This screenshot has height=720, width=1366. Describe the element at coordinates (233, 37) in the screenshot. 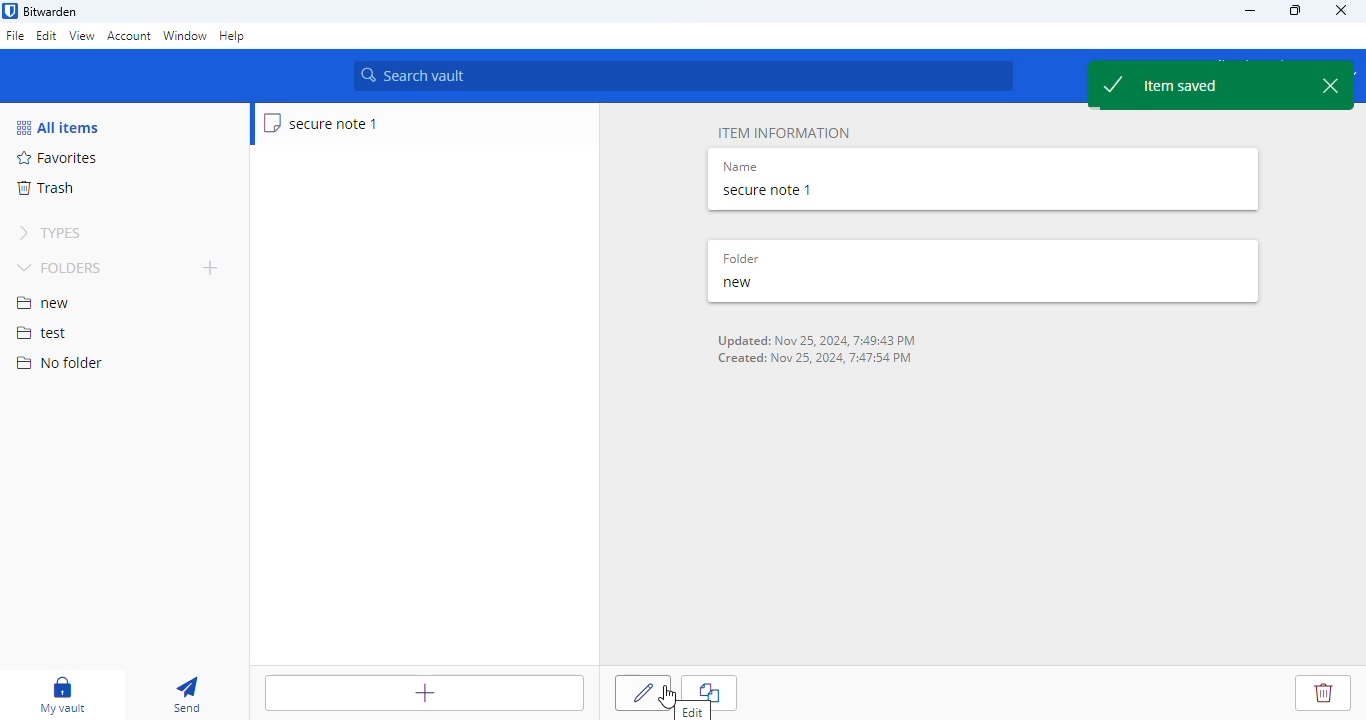

I see `help` at that location.